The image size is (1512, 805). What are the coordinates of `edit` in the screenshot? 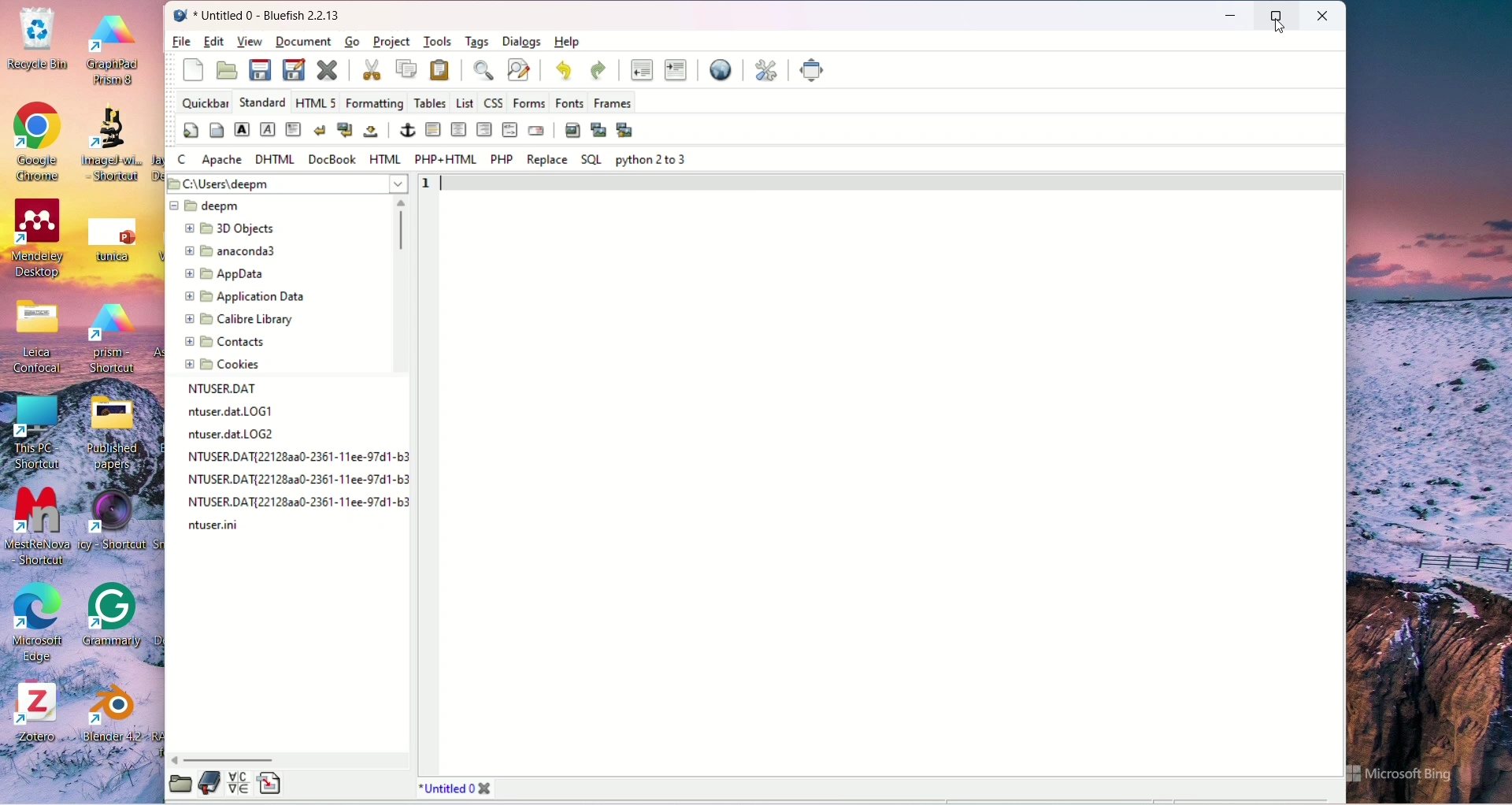 It's located at (217, 42).